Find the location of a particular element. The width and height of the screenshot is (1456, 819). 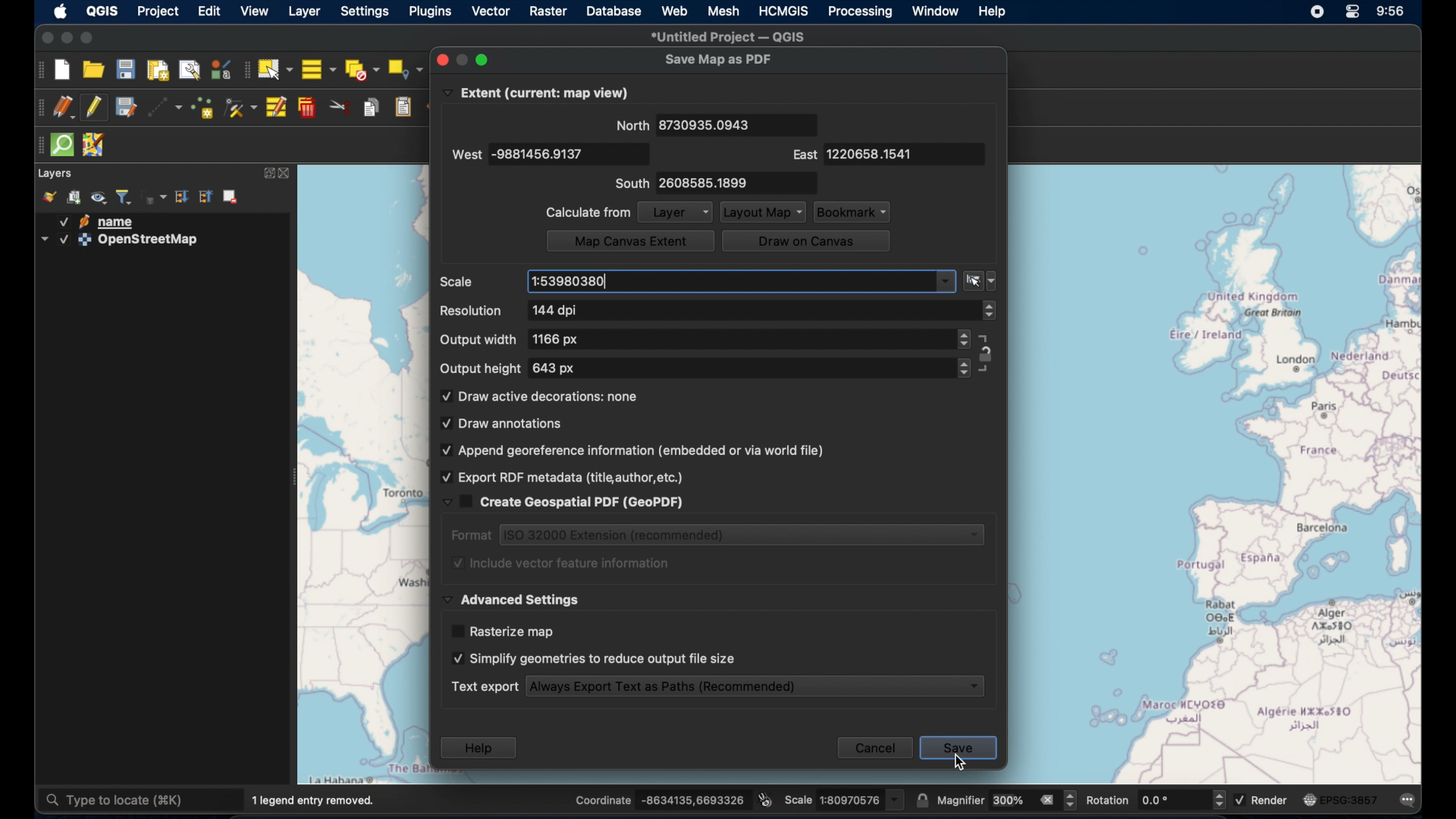

new project is located at coordinates (64, 71).